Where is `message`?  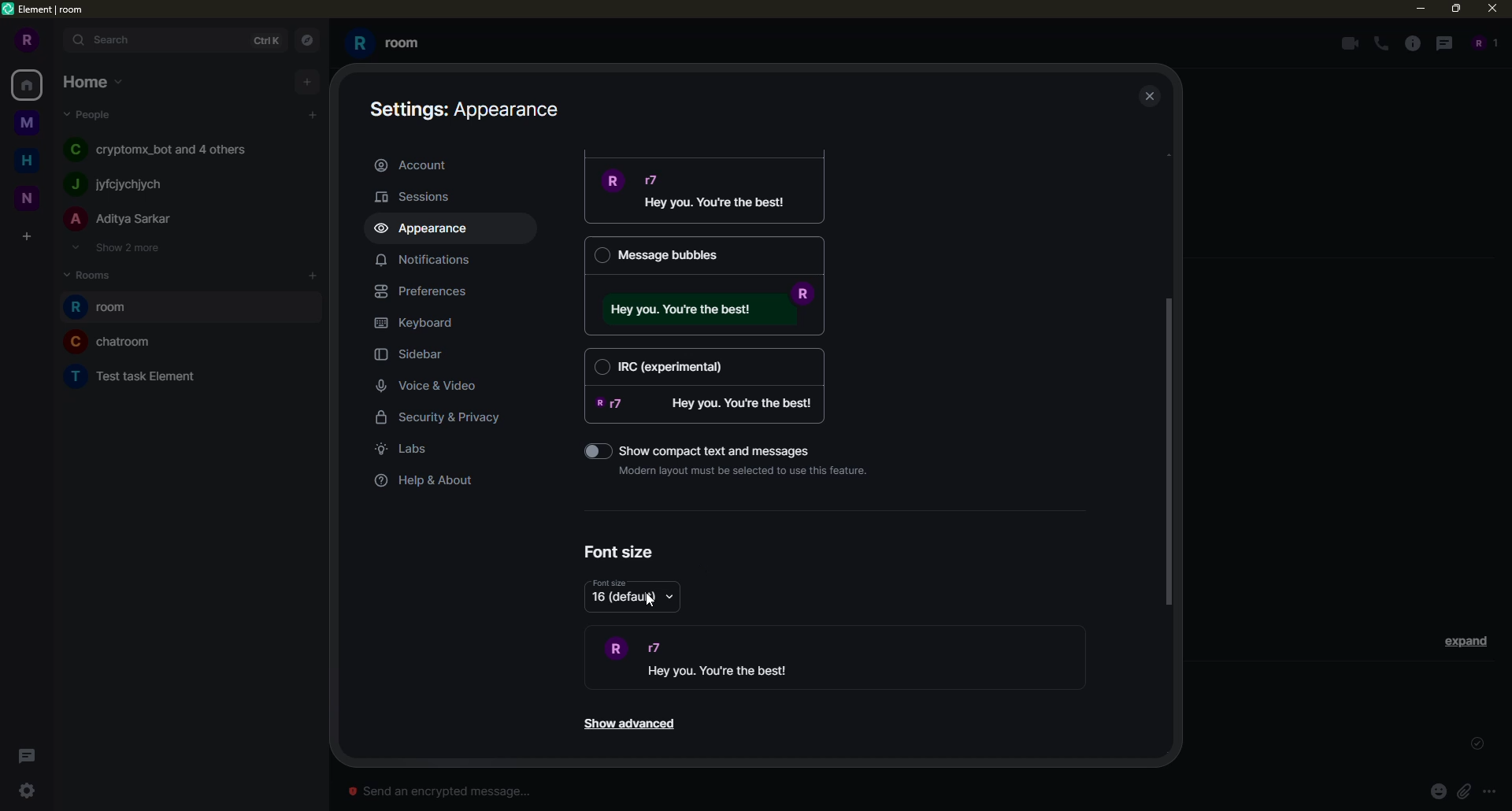 message is located at coordinates (710, 404).